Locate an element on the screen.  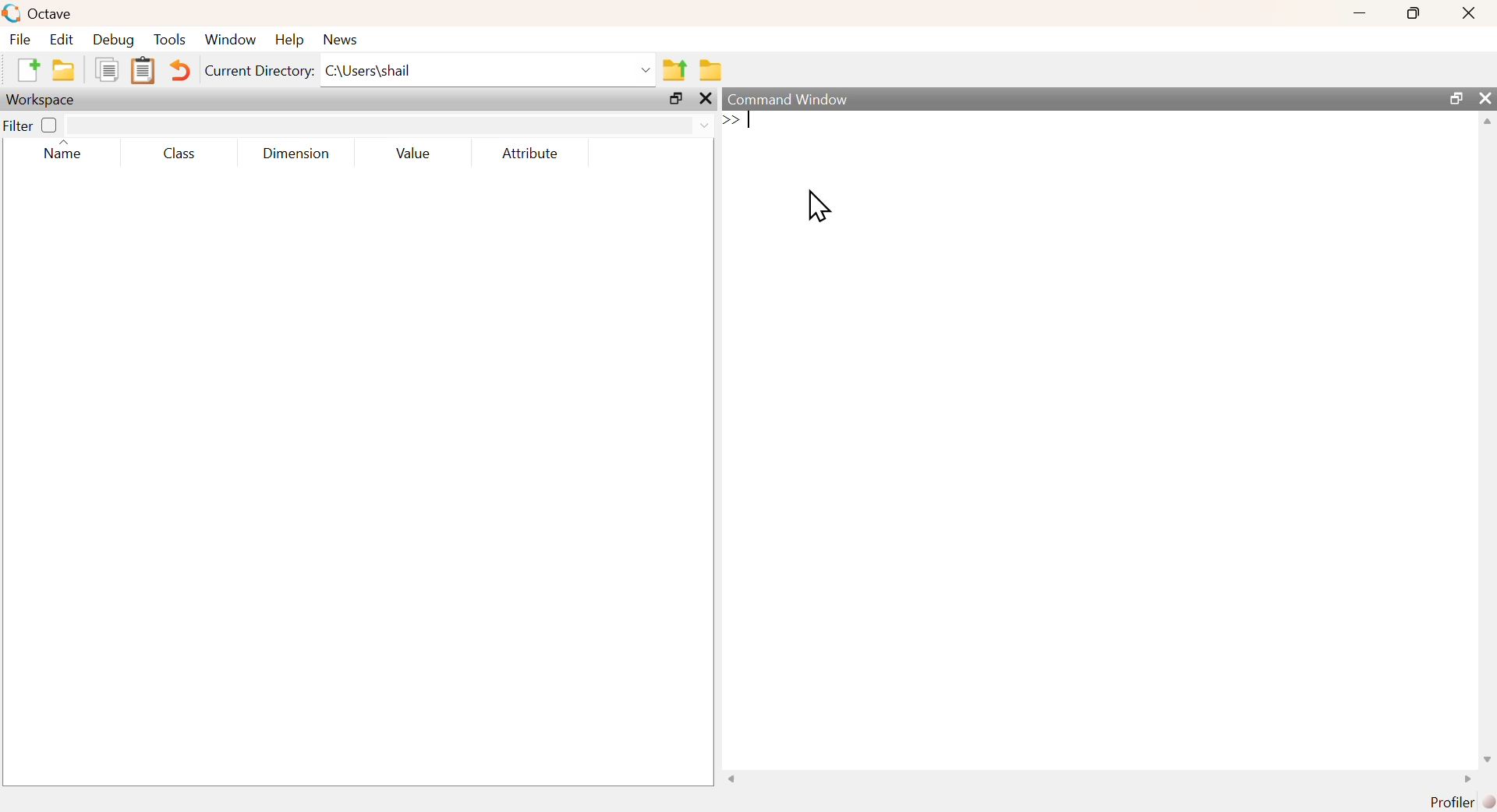
Octave is located at coordinates (54, 14).